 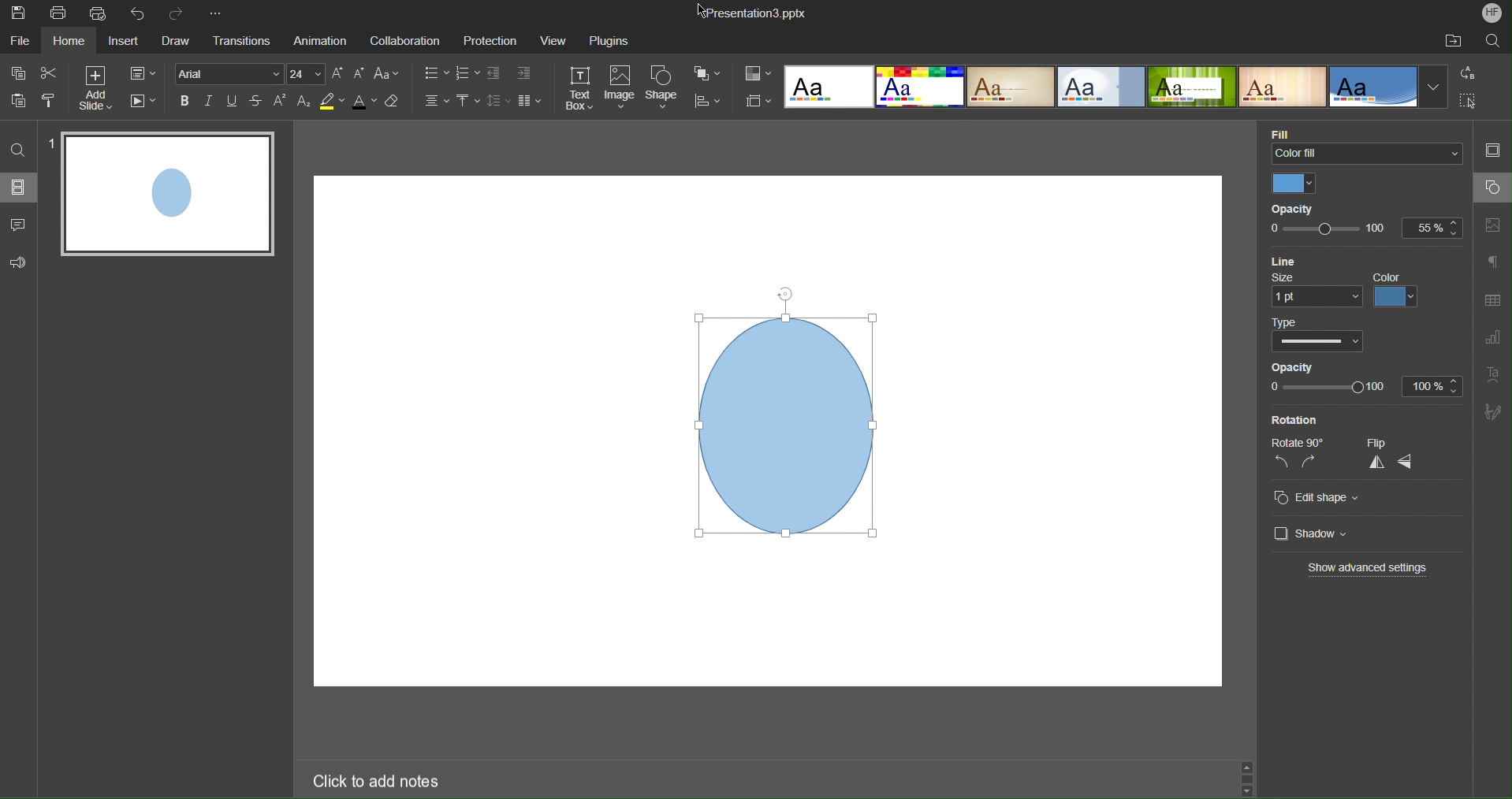 I want to click on Templates, so click(x=1115, y=86).